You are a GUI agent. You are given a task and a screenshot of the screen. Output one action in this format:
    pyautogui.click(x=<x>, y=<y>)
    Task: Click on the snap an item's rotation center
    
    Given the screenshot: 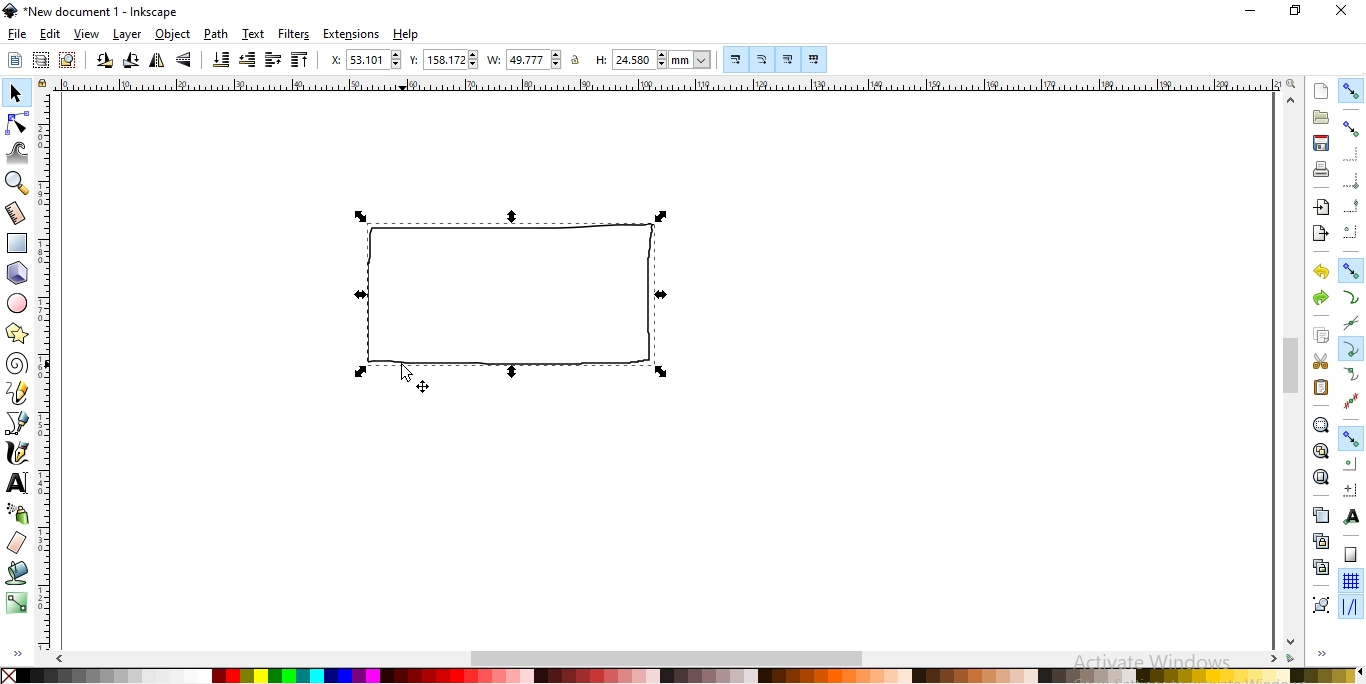 What is the action you would take?
    pyautogui.click(x=1350, y=489)
    